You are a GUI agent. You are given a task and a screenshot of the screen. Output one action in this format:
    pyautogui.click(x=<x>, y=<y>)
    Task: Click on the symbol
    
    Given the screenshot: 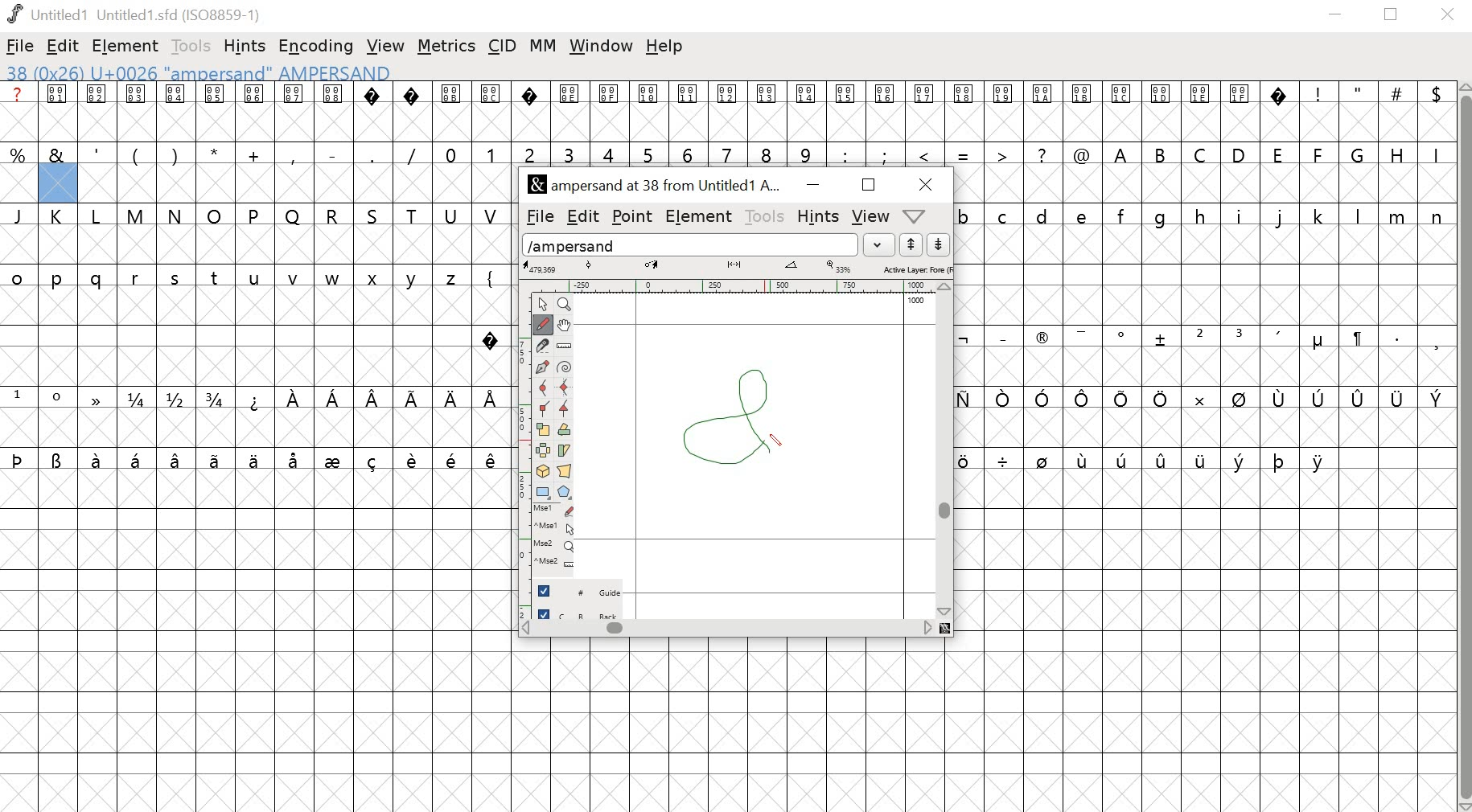 What is the action you would take?
    pyautogui.click(x=1281, y=399)
    